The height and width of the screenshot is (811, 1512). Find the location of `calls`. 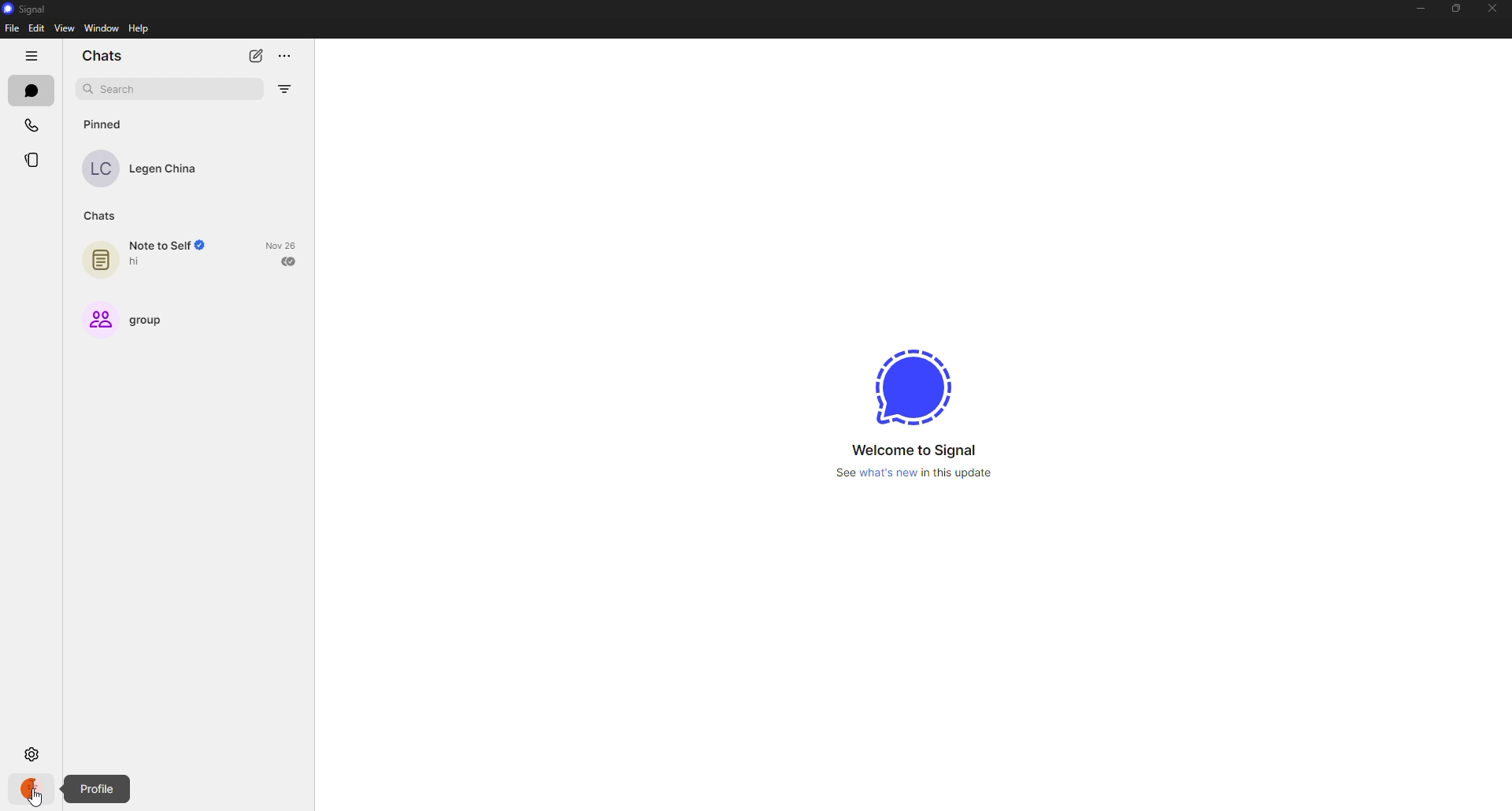

calls is located at coordinates (34, 124).